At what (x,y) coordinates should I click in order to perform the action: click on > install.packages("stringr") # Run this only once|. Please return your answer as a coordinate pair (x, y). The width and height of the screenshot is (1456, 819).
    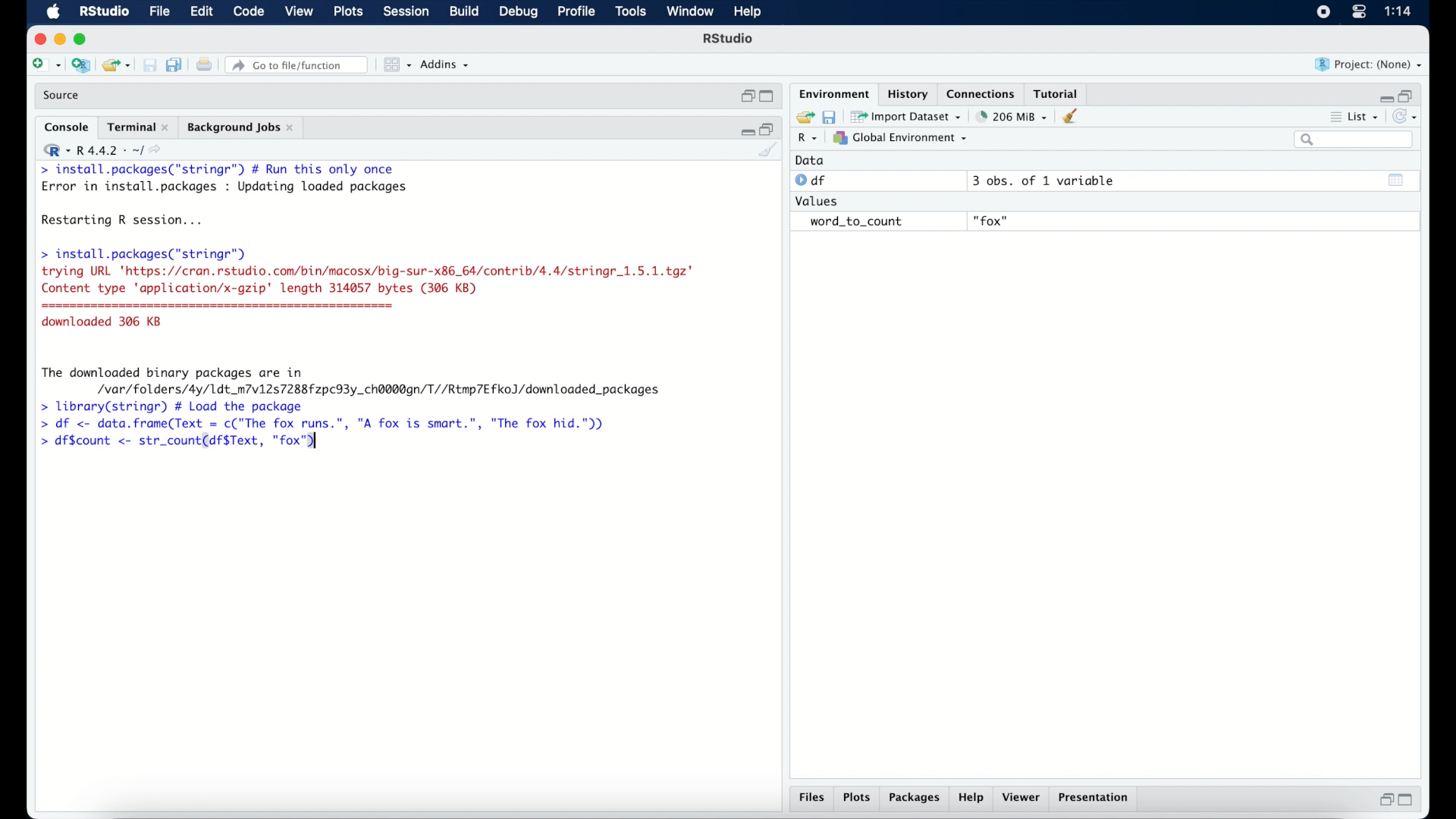
    Looking at the image, I should click on (221, 170).